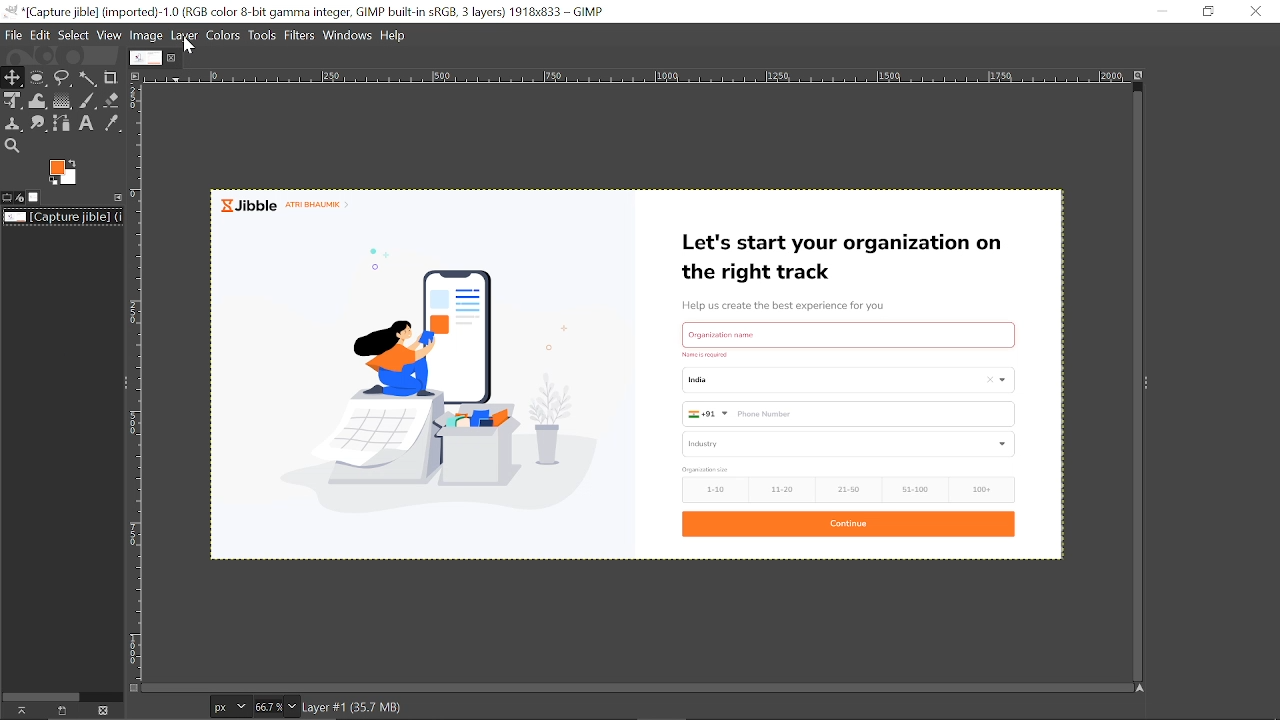 This screenshot has width=1280, height=720. I want to click on Gradient tool, so click(63, 101).